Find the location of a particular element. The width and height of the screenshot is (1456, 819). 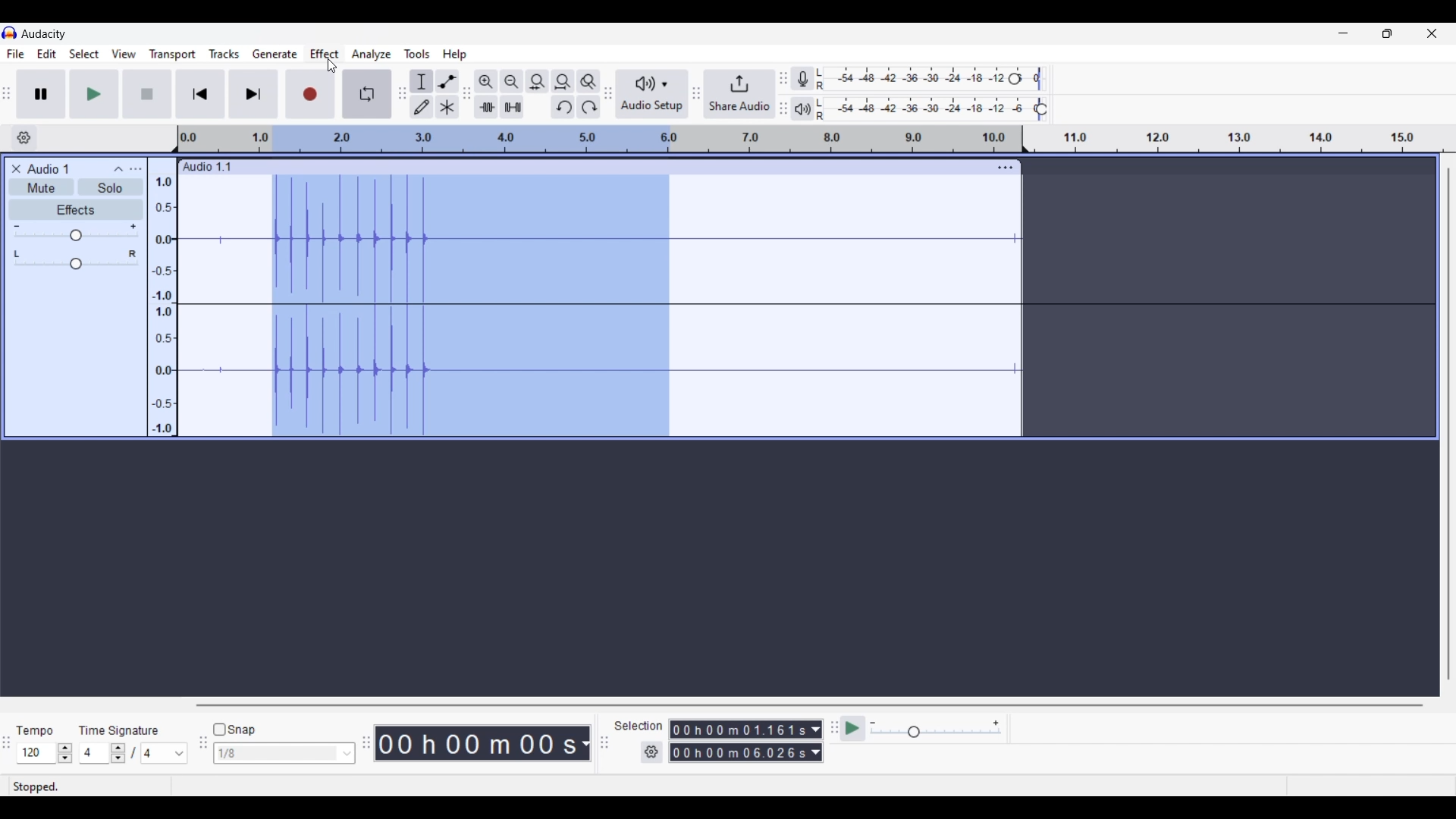

Fit selection to width is located at coordinates (537, 81).